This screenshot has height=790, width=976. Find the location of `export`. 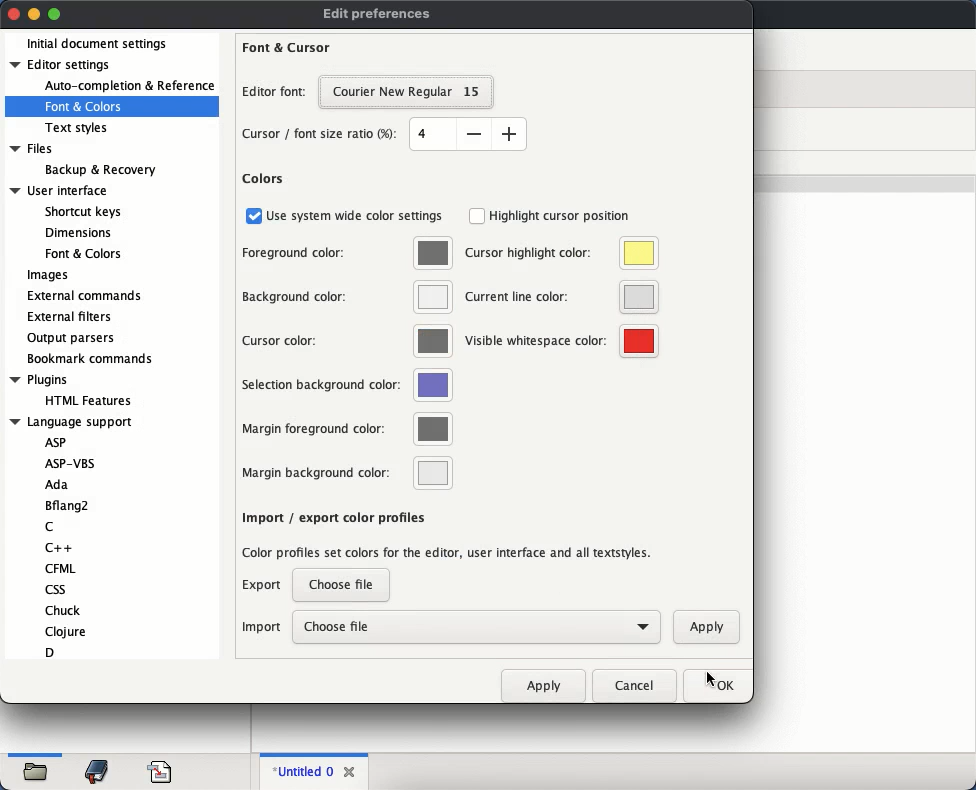

export is located at coordinates (263, 586).